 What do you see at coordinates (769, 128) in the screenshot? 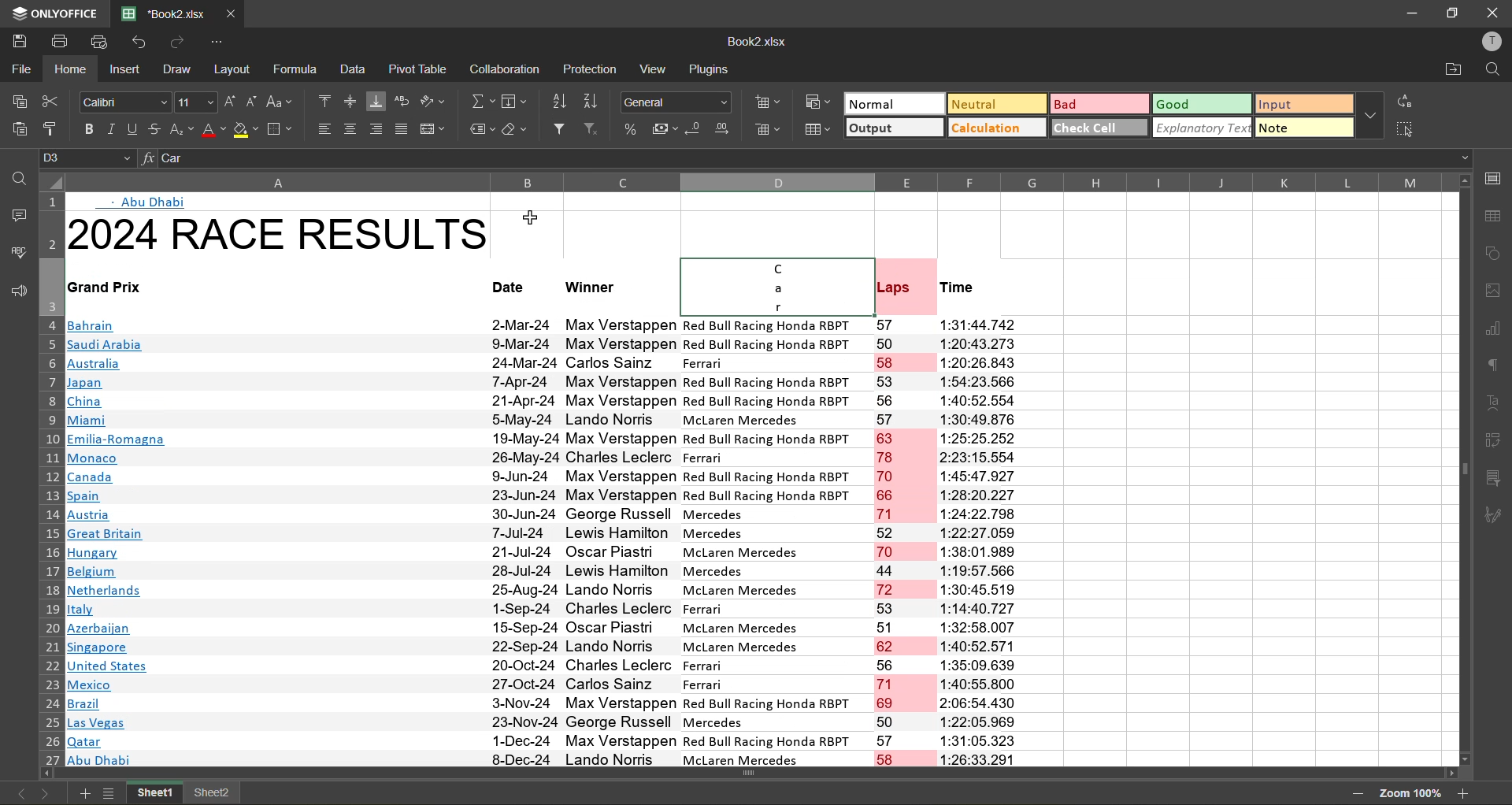
I see `delete cells` at bounding box center [769, 128].